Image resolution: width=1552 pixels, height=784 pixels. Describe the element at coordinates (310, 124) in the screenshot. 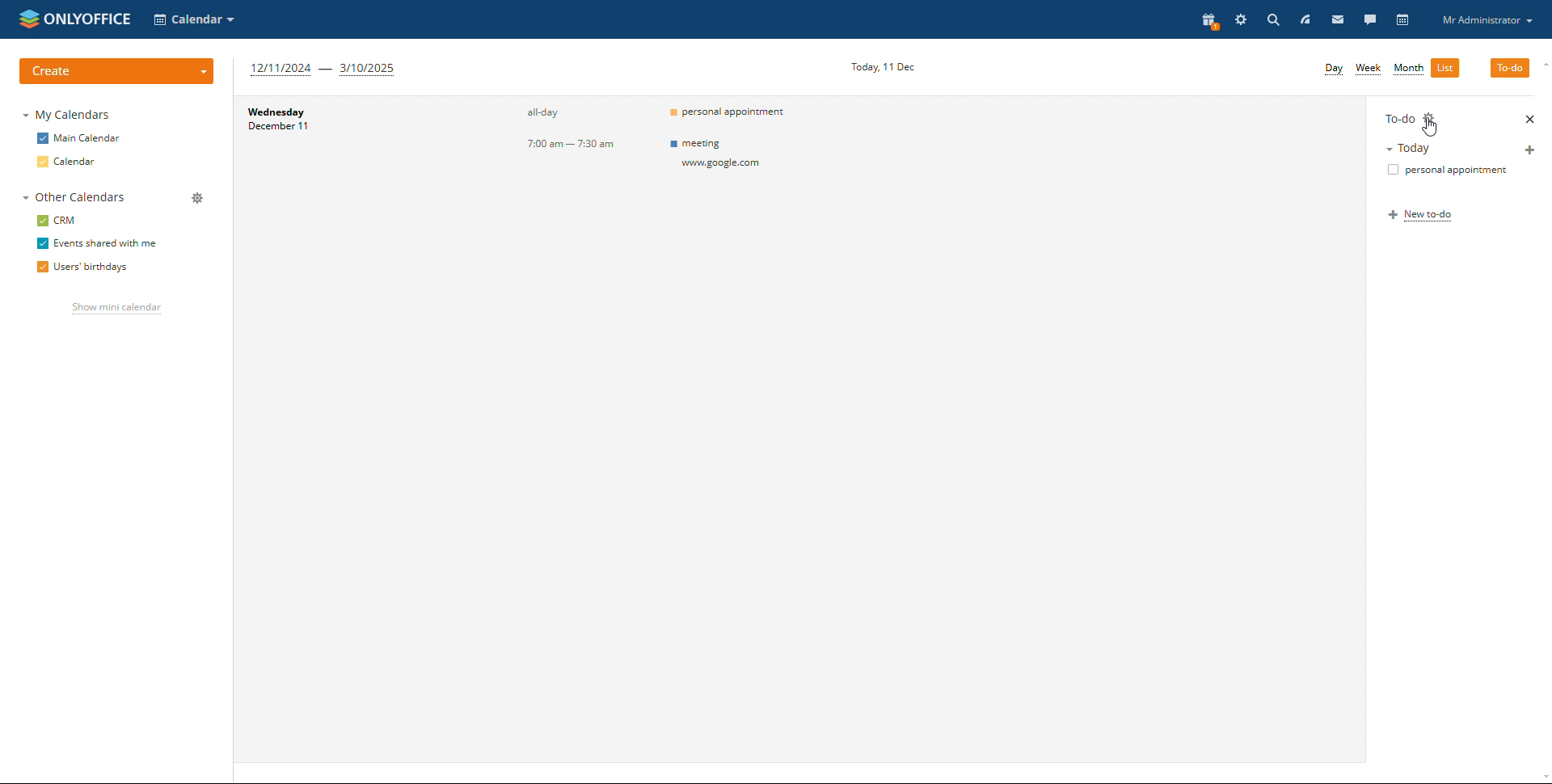

I see `day and date` at that location.